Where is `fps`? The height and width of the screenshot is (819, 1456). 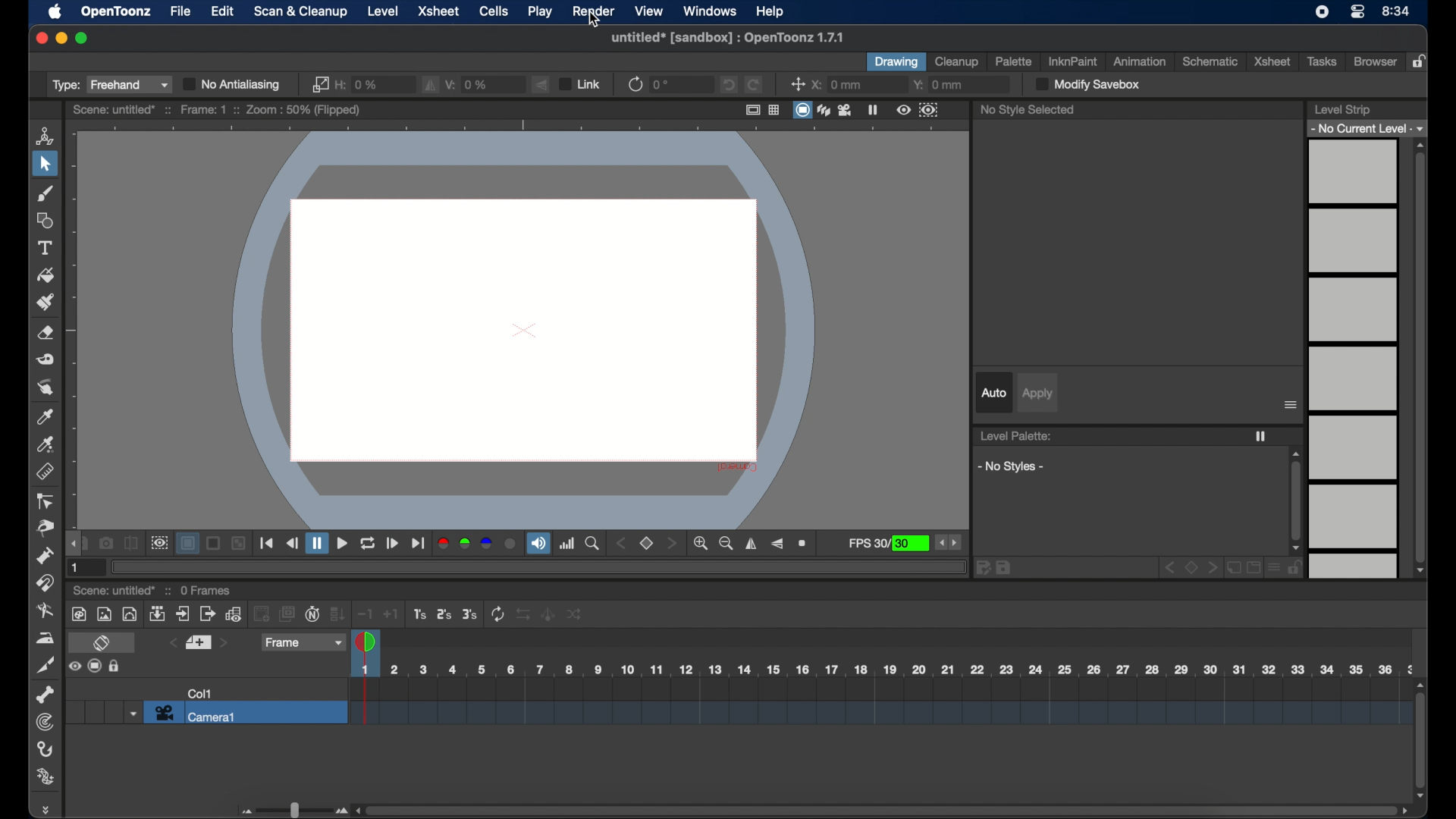 fps is located at coordinates (888, 544).